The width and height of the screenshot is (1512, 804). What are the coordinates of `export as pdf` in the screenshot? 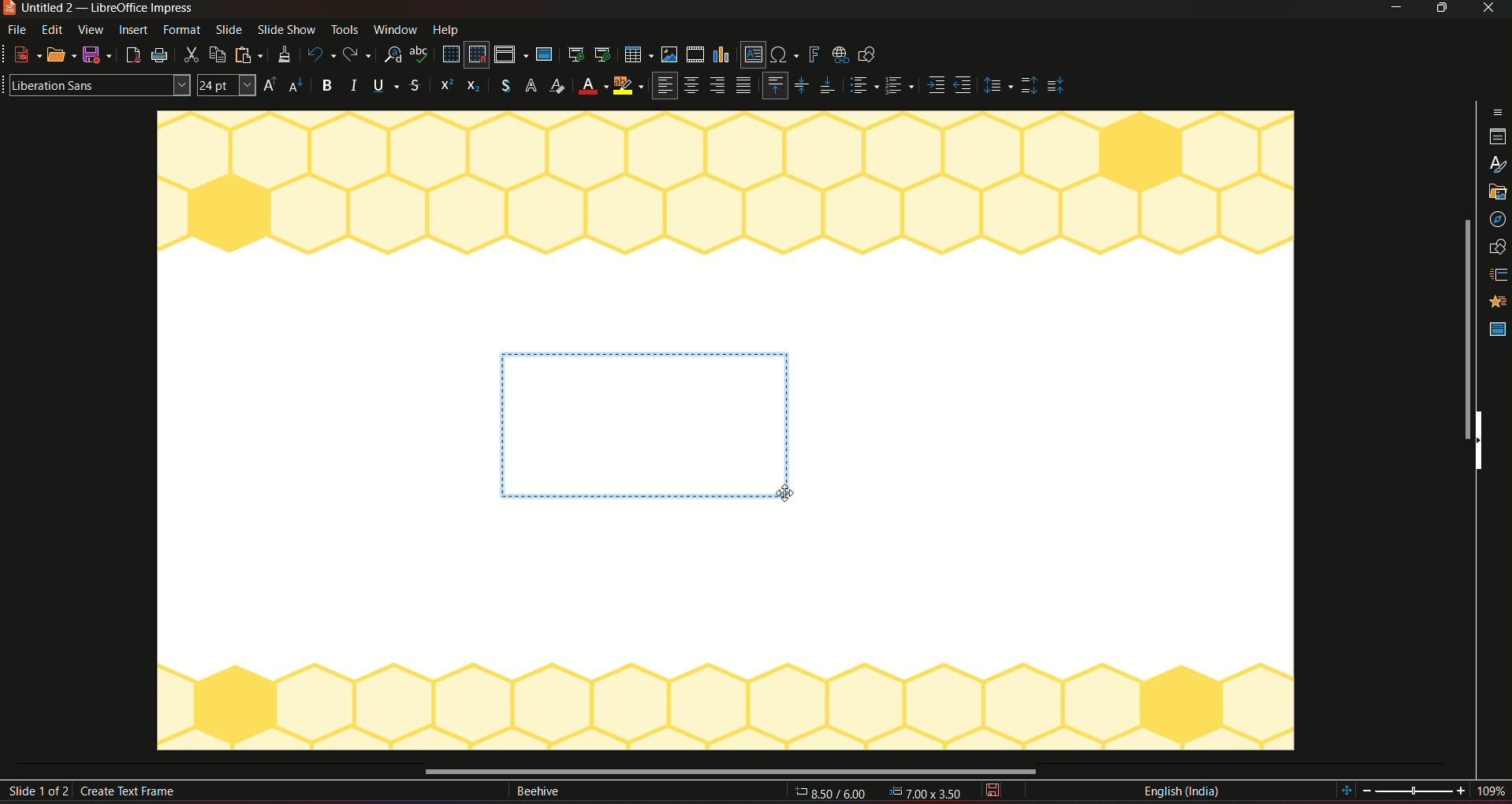 It's located at (132, 55).